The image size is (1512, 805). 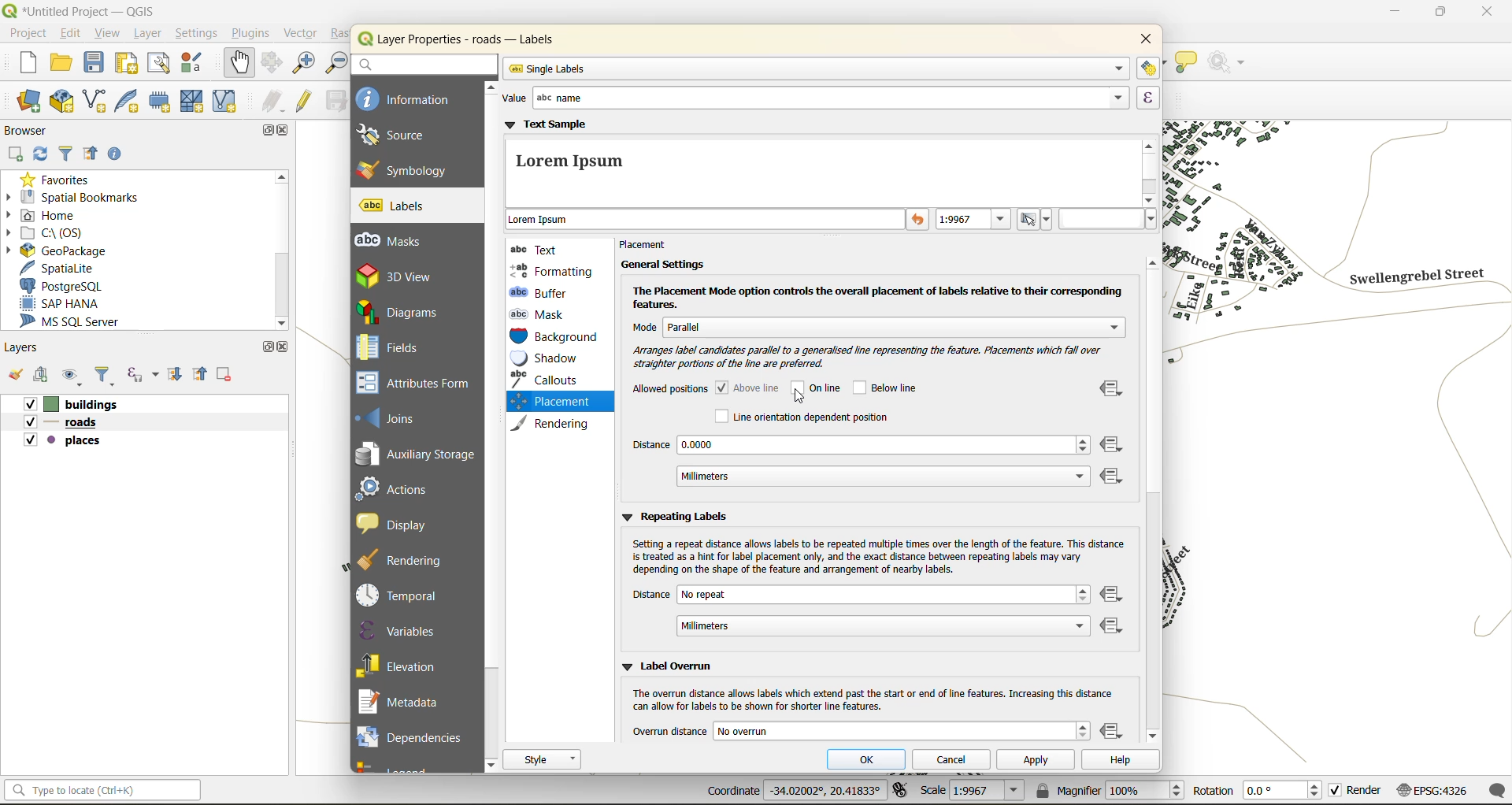 What do you see at coordinates (402, 595) in the screenshot?
I see `temporal` at bounding box center [402, 595].